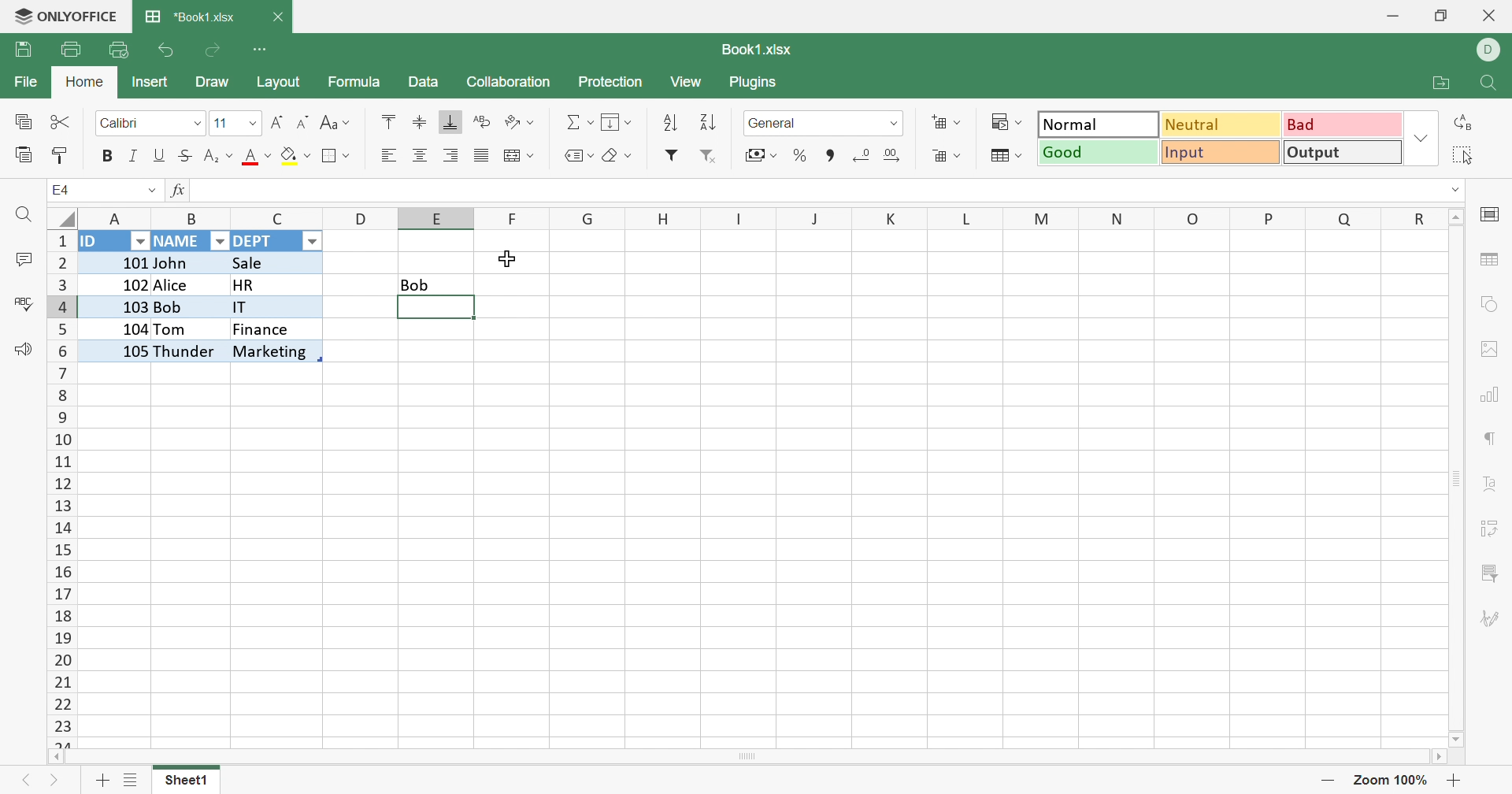 This screenshot has height=794, width=1512. What do you see at coordinates (63, 122) in the screenshot?
I see `Cut` at bounding box center [63, 122].